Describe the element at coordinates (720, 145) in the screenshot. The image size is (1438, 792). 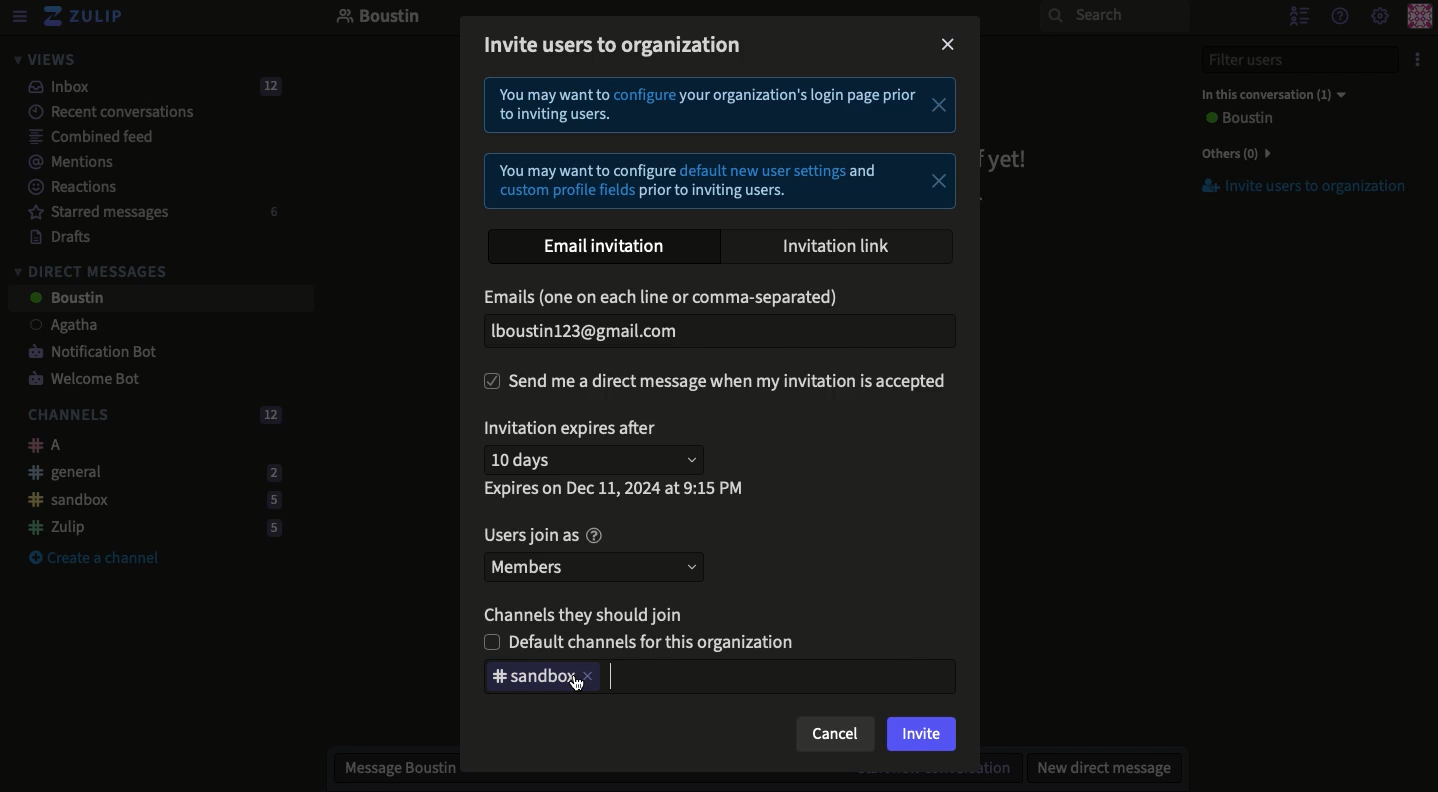
I see `Instructional text` at that location.